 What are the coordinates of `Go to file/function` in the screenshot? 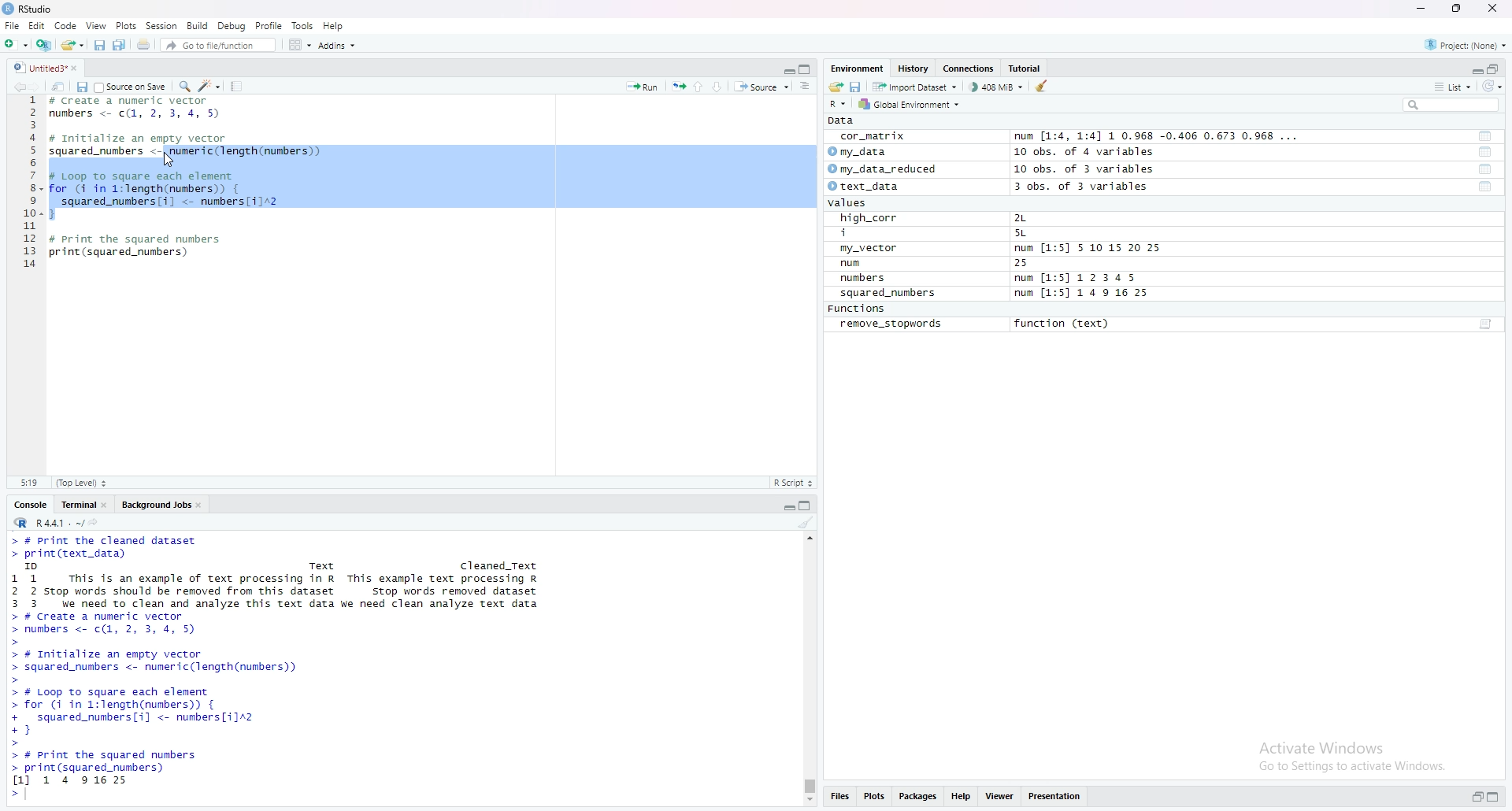 It's located at (217, 43).